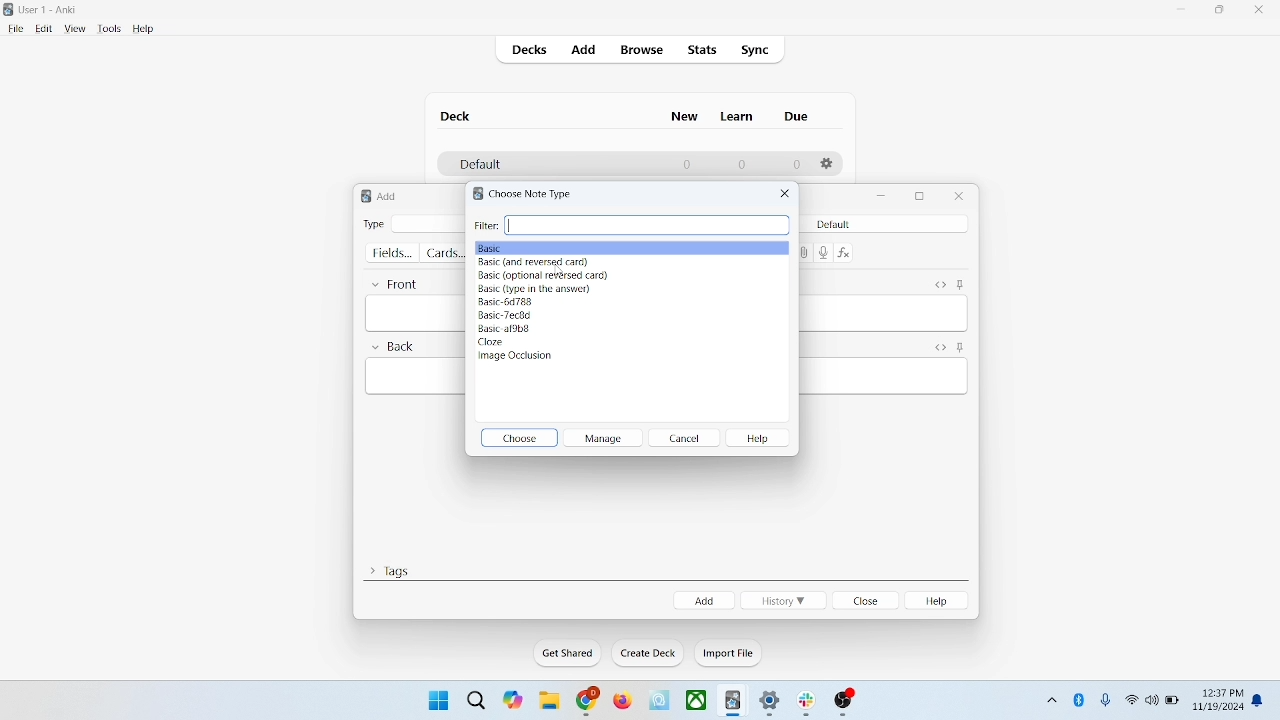 The width and height of the screenshot is (1280, 720). What do you see at coordinates (640, 49) in the screenshot?
I see `browse` at bounding box center [640, 49].